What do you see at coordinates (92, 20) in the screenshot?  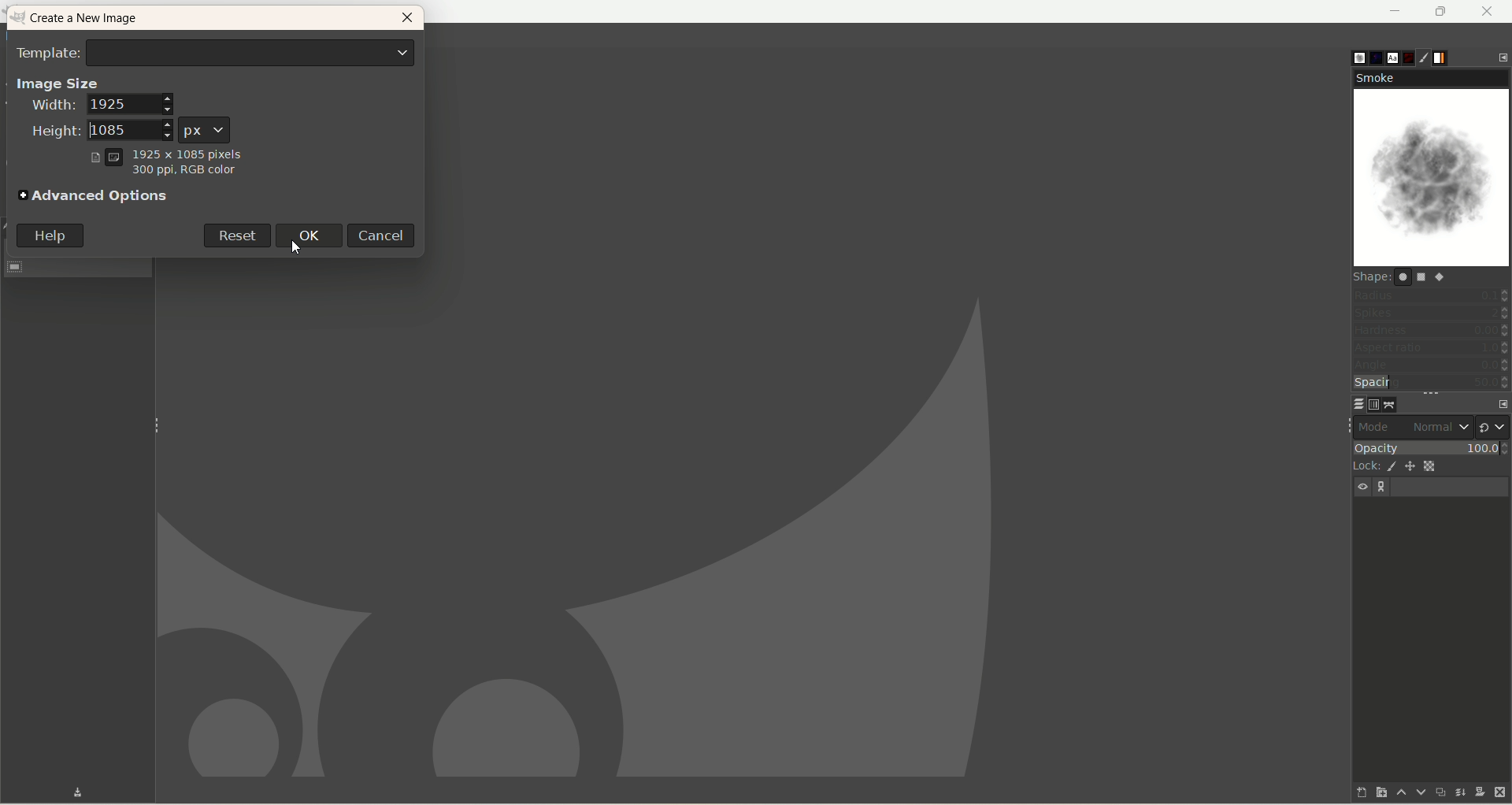 I see `create a new image` at bounding box center [92, 20].